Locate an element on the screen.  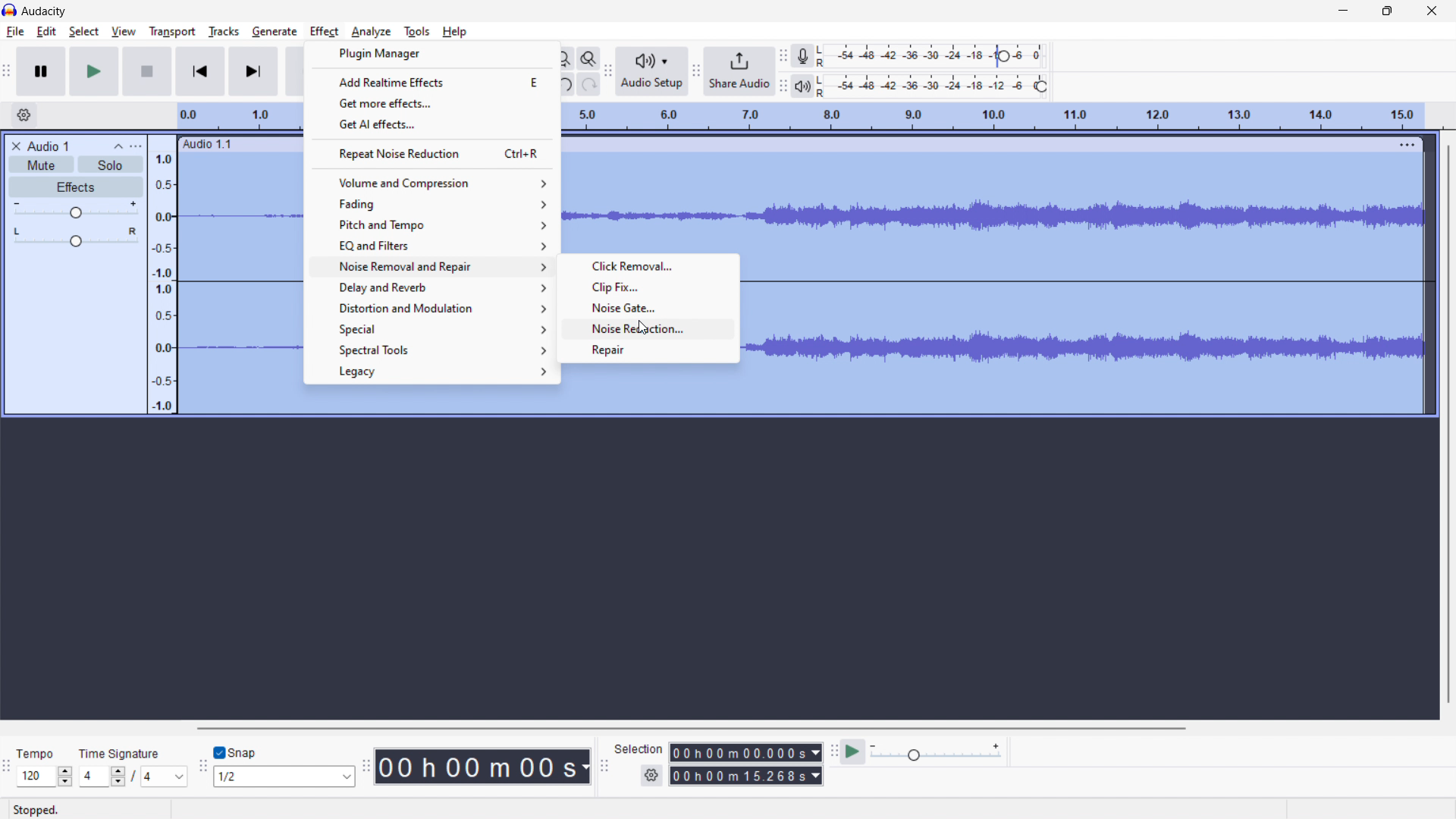
view is located at coordinates (123, 30).